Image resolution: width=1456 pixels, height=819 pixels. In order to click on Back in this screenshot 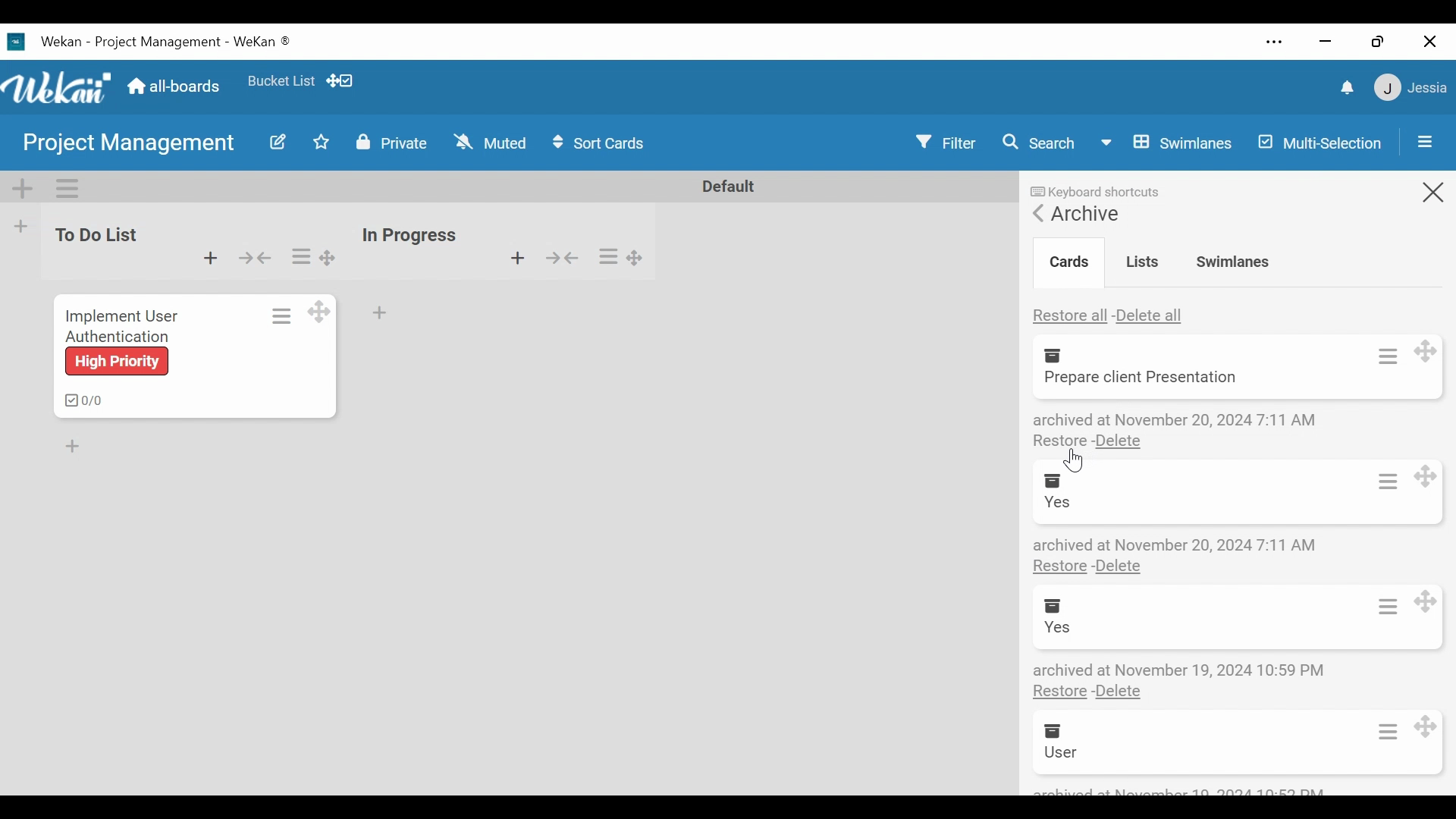, I will do `click(1038, 212)`.